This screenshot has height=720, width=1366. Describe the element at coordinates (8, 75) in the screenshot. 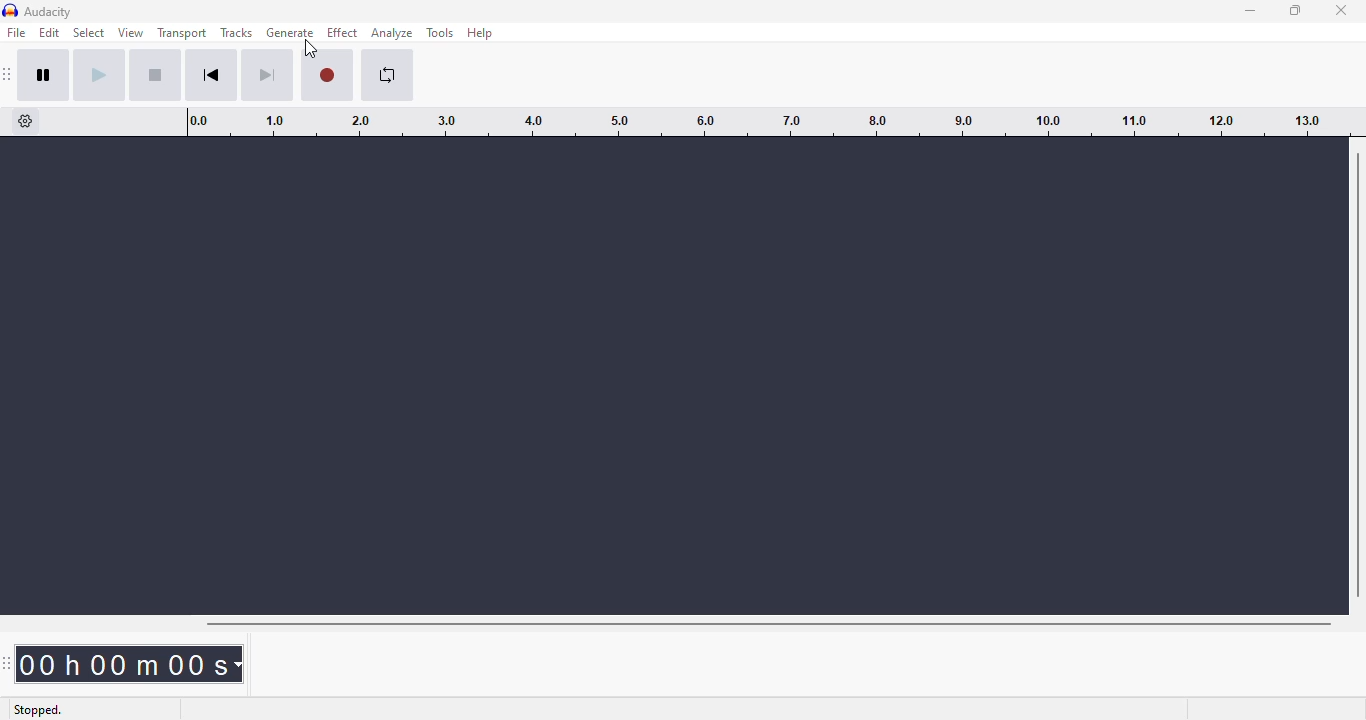

I see `audacity transport toolbar` at that location.